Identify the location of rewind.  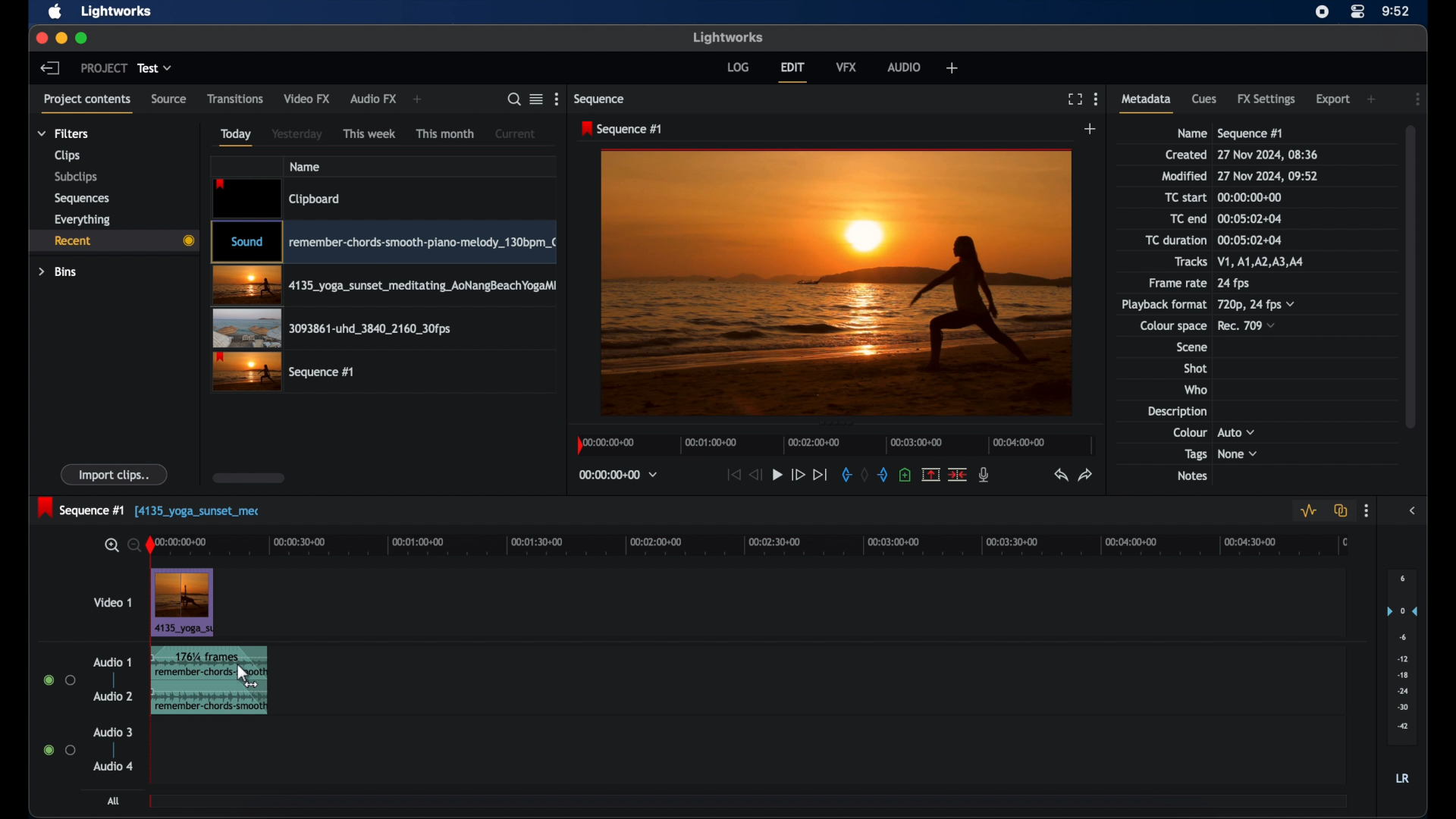
(755, 475).